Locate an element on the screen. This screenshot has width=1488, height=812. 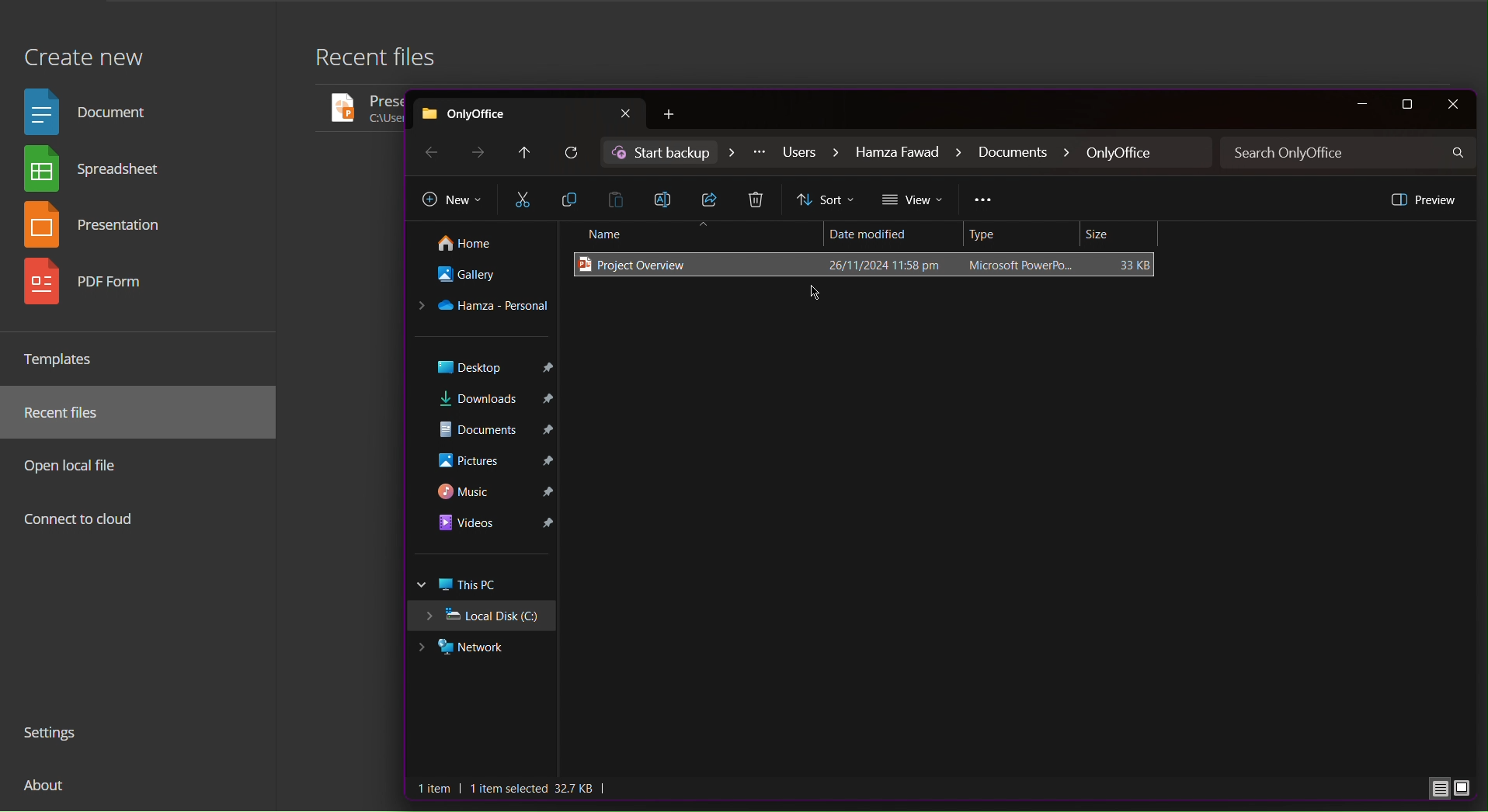
PDF Form is located at coordinates (99, 287).